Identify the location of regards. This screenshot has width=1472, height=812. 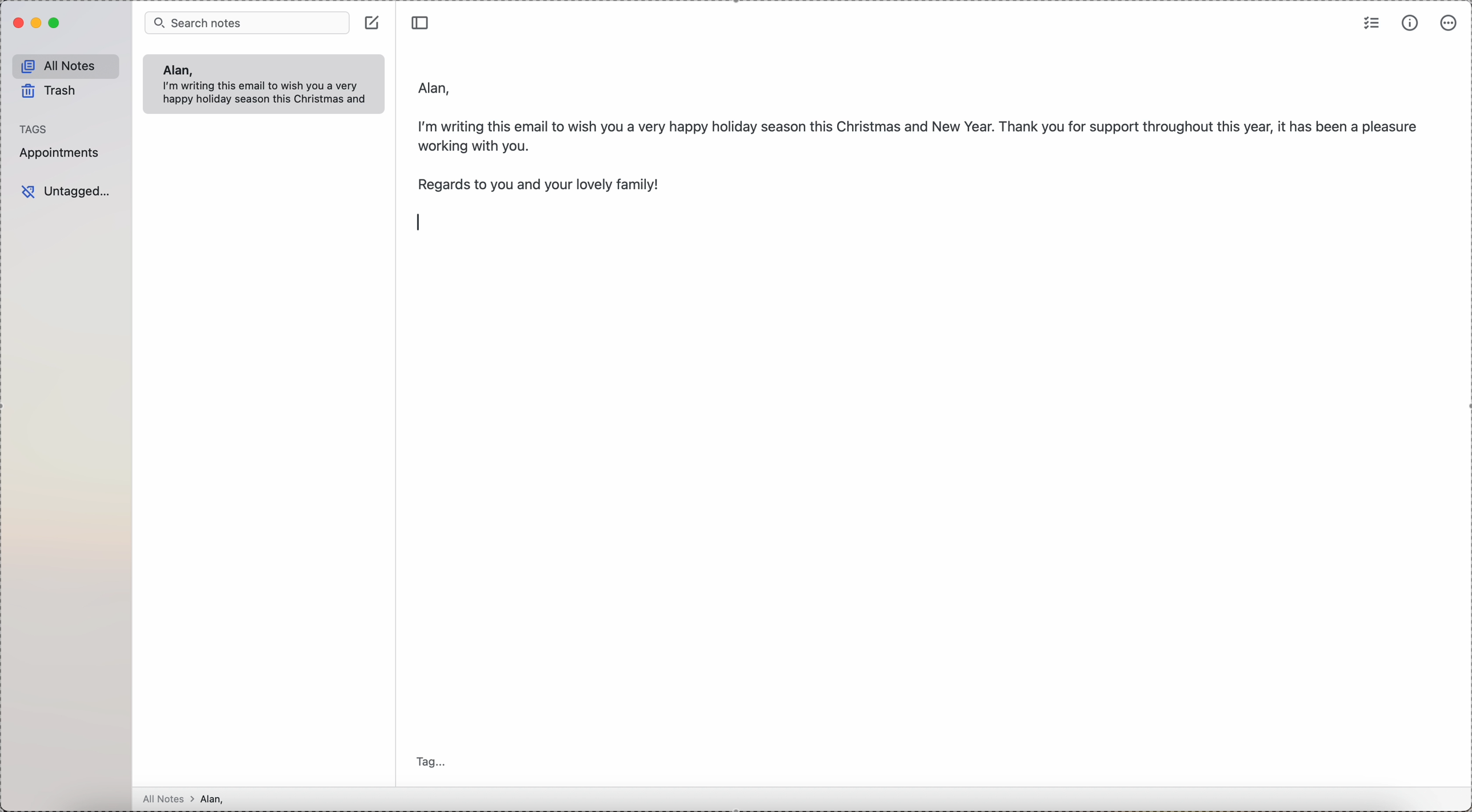
(538, 185).